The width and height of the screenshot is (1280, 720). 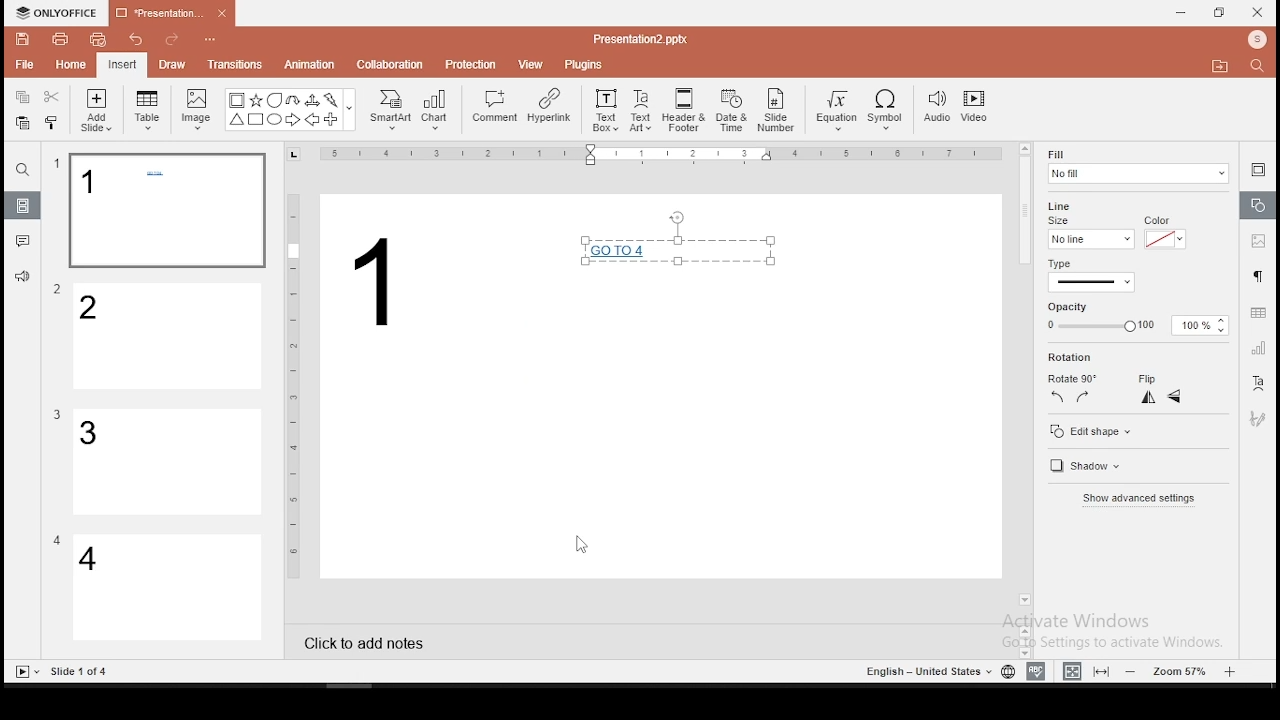 What do you see at coordinates (1103, 358) in the screenshot?
I see `rotation` at bounding box center [1103, 358].